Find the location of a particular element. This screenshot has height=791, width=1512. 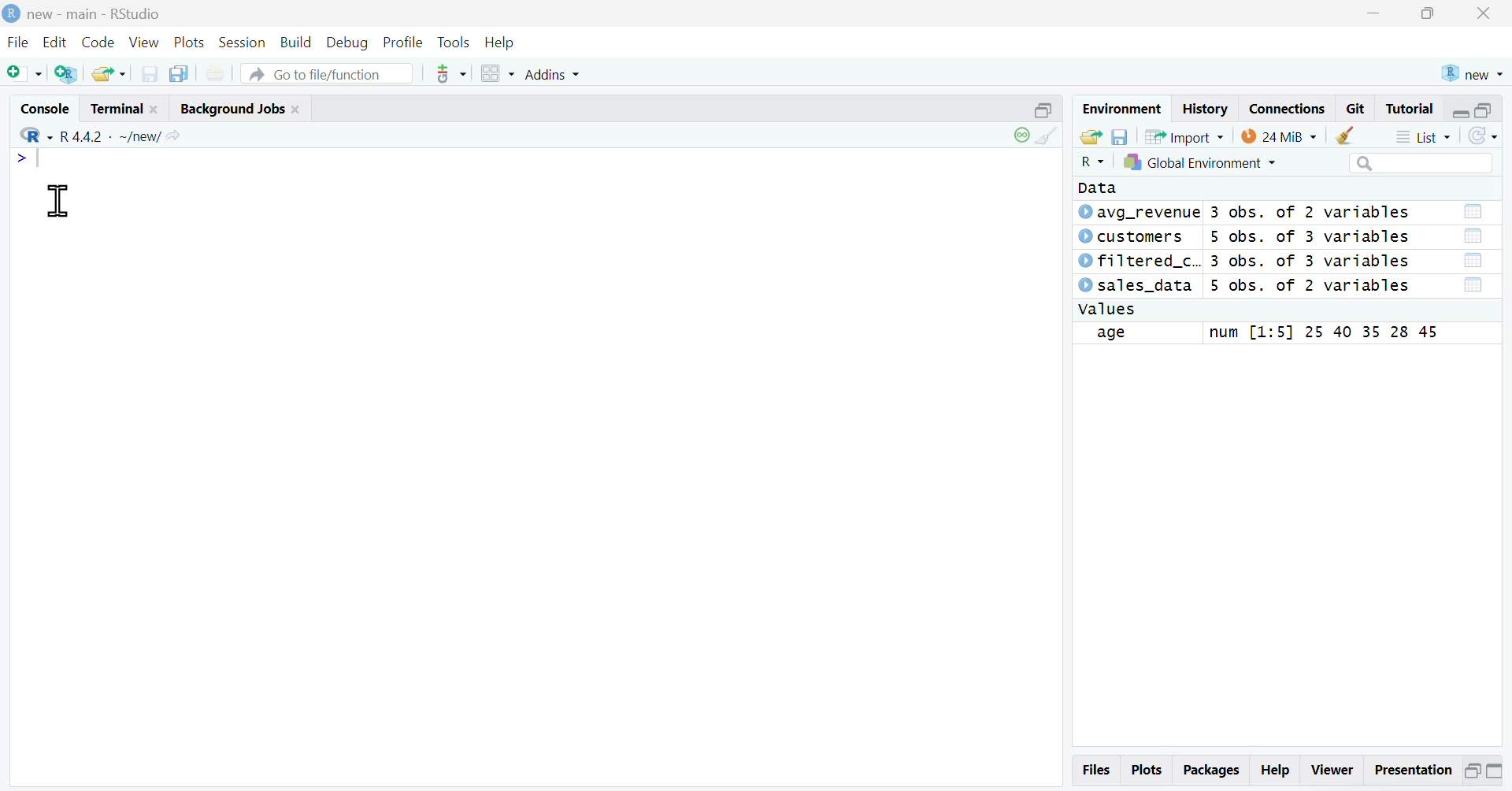

Background Jobs is located at coordinates (239, 108).